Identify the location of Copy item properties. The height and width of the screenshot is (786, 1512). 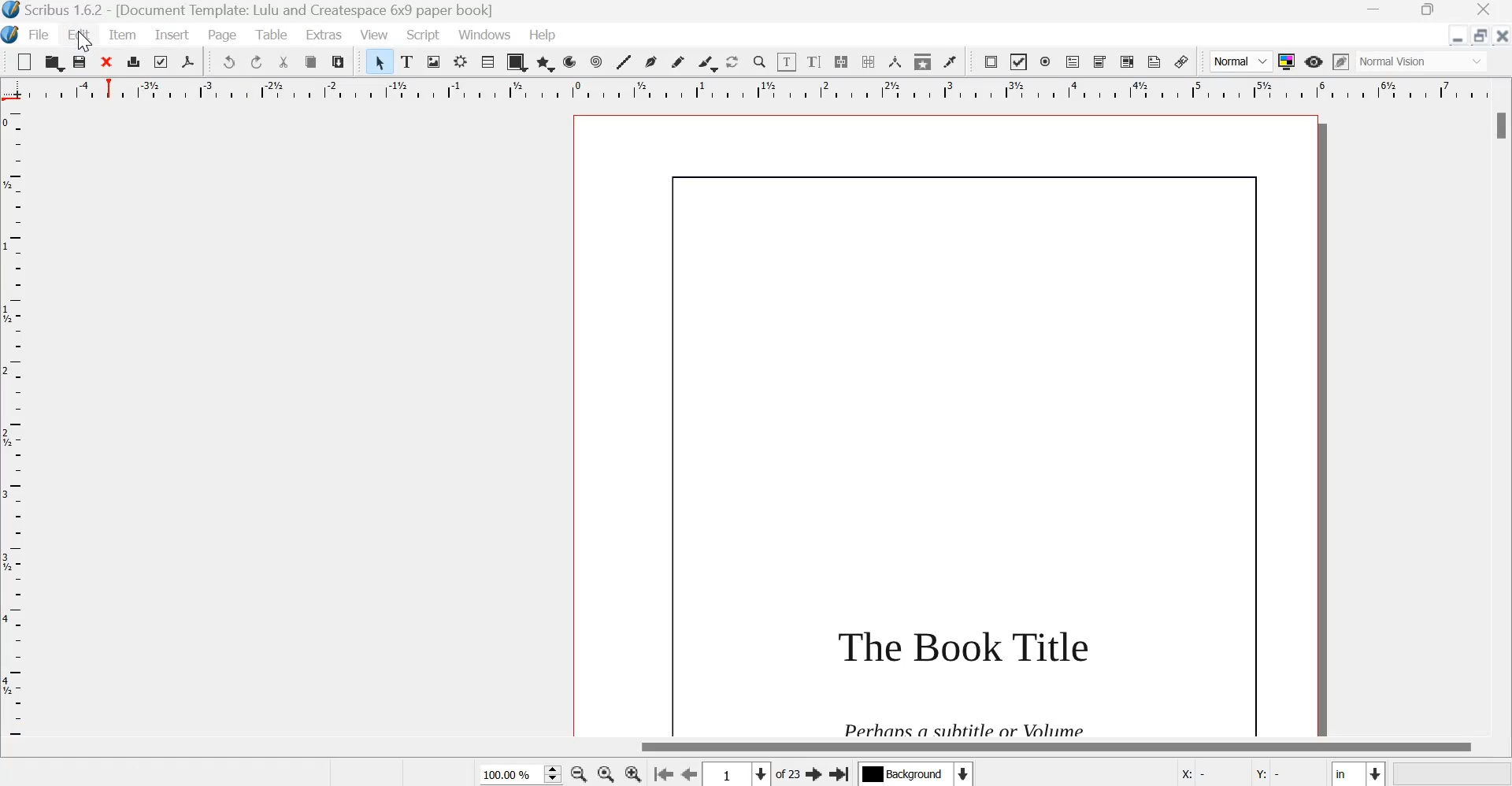
(923, 61).